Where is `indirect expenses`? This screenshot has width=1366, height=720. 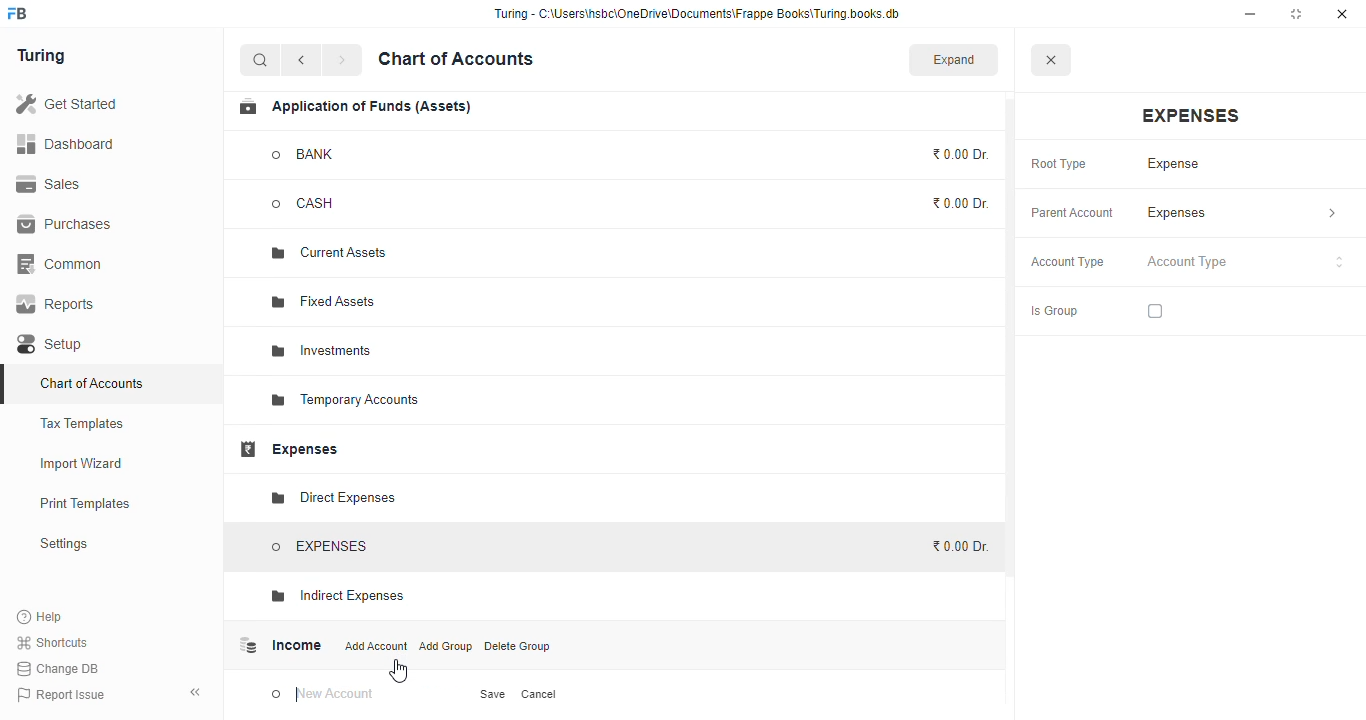
indirect expenses is located at coordinates (334, 596).